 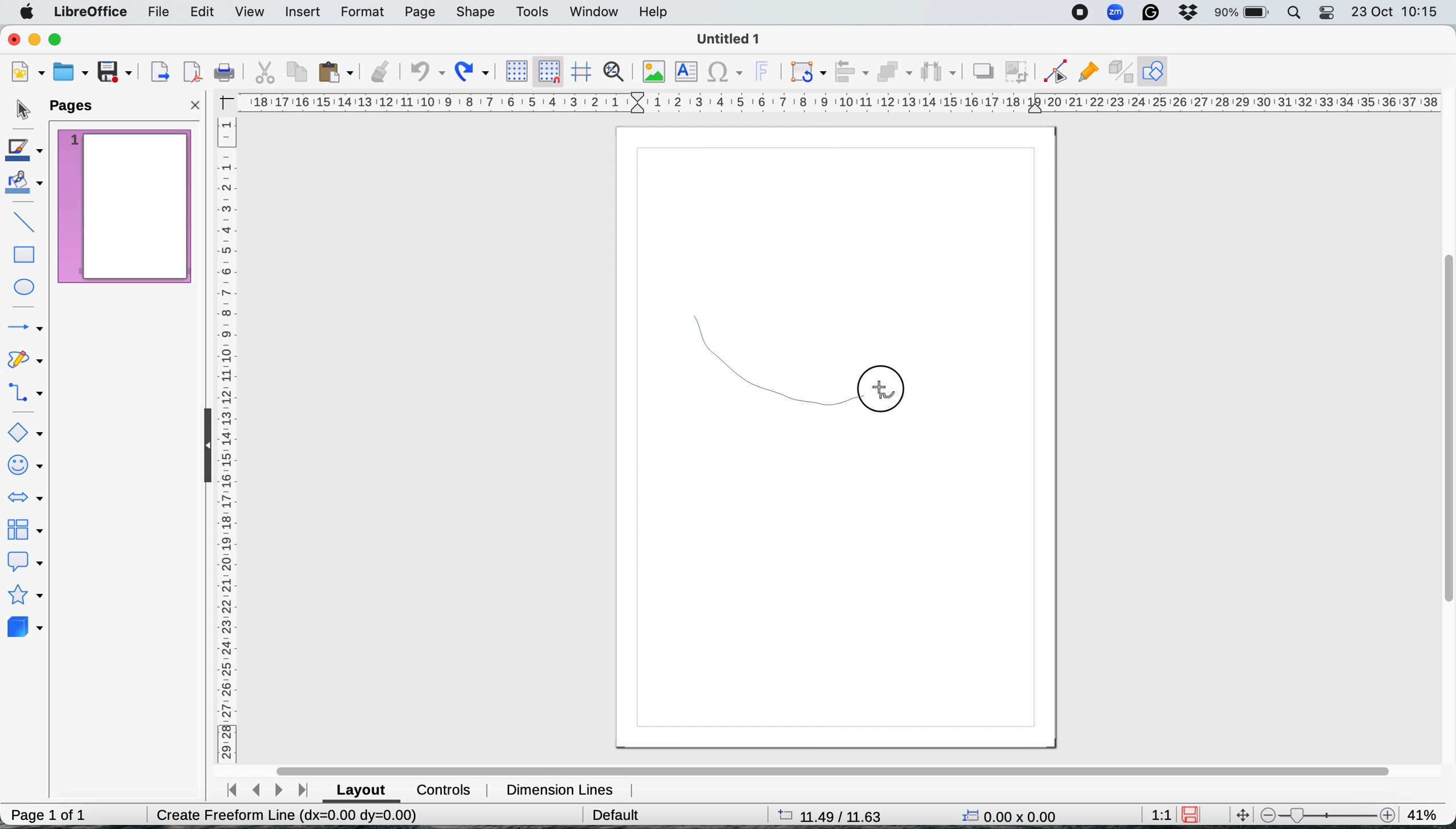 I want to click on vertical scroll bar, so click(x=1443, y=428).